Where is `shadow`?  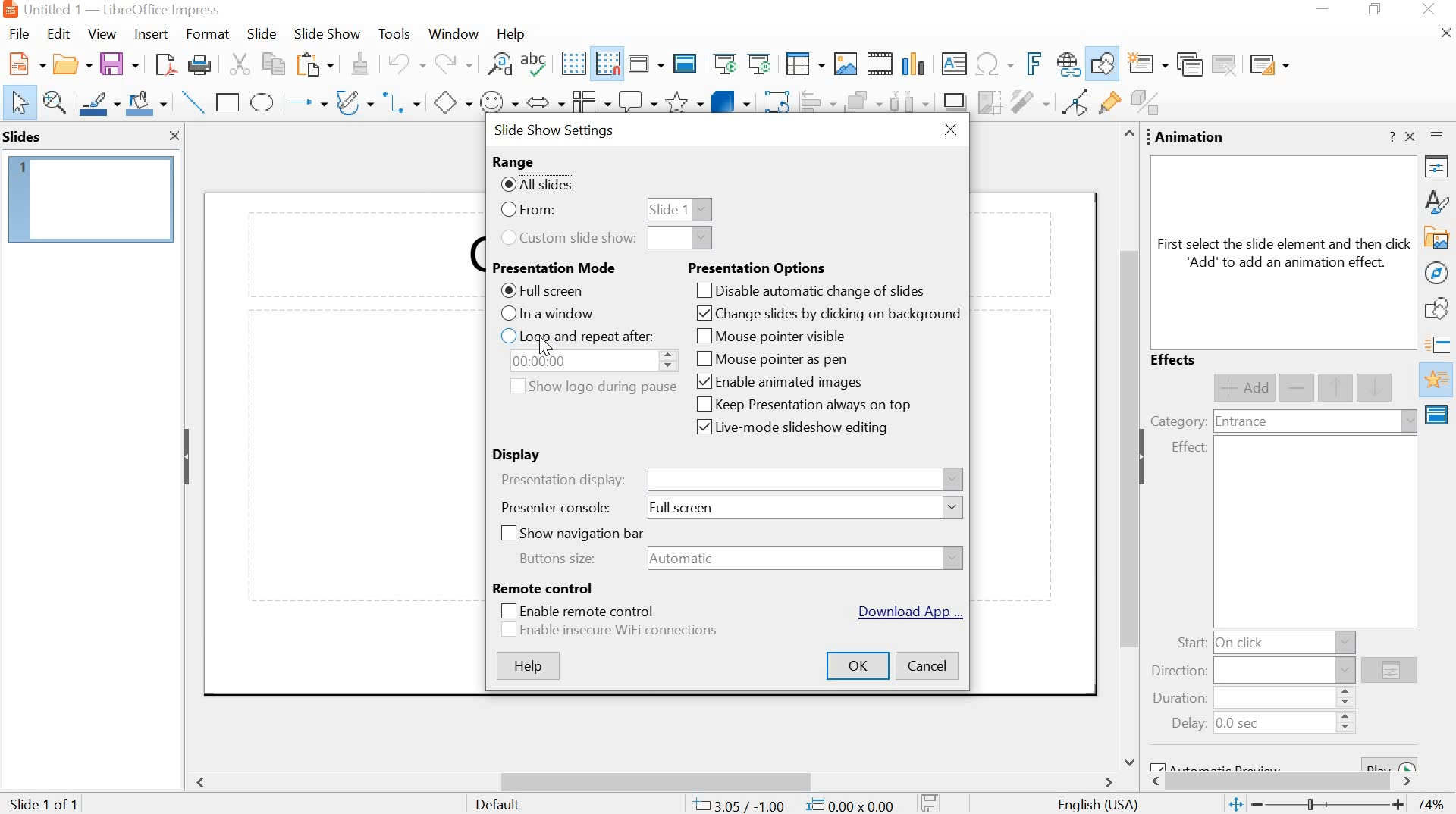
shadow is located at coordinates (954, 103).